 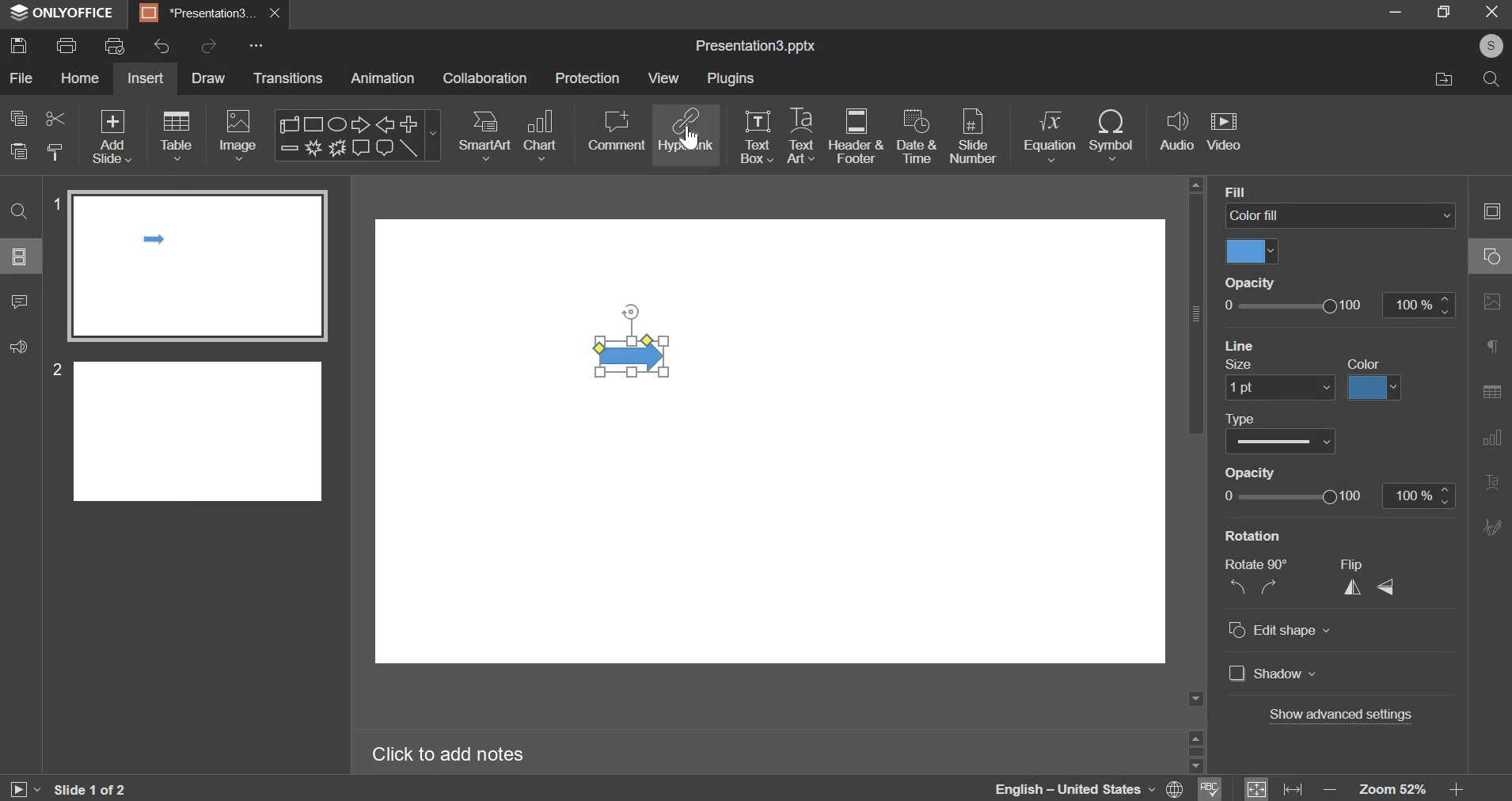 What do you see at coordinates (1273, 673) in the screenshot?
I see `shadow` at bounding box center [1273, 673].